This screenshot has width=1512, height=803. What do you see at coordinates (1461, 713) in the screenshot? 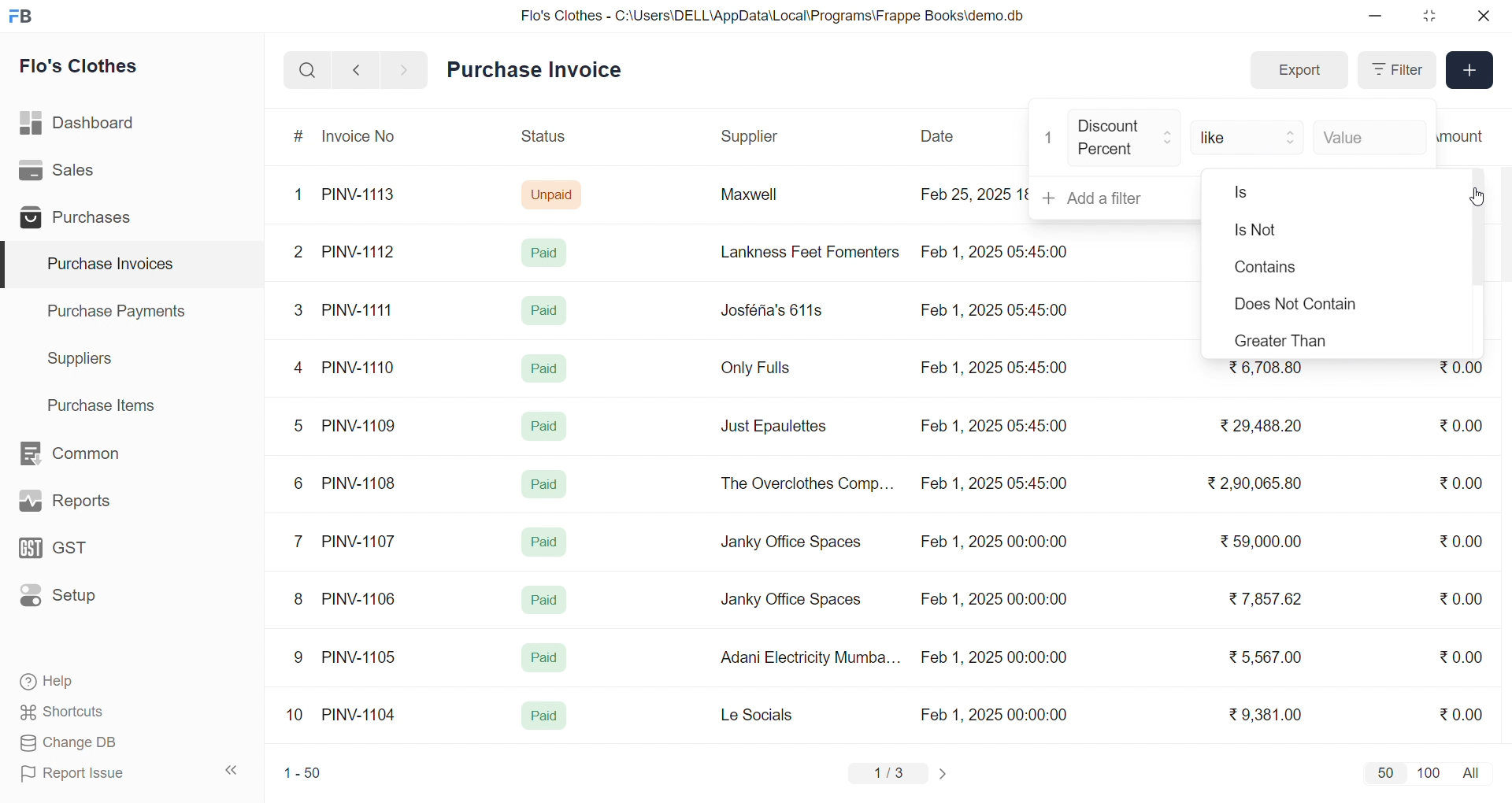
I see `₹0.00` at bounding box center [1461, 713].